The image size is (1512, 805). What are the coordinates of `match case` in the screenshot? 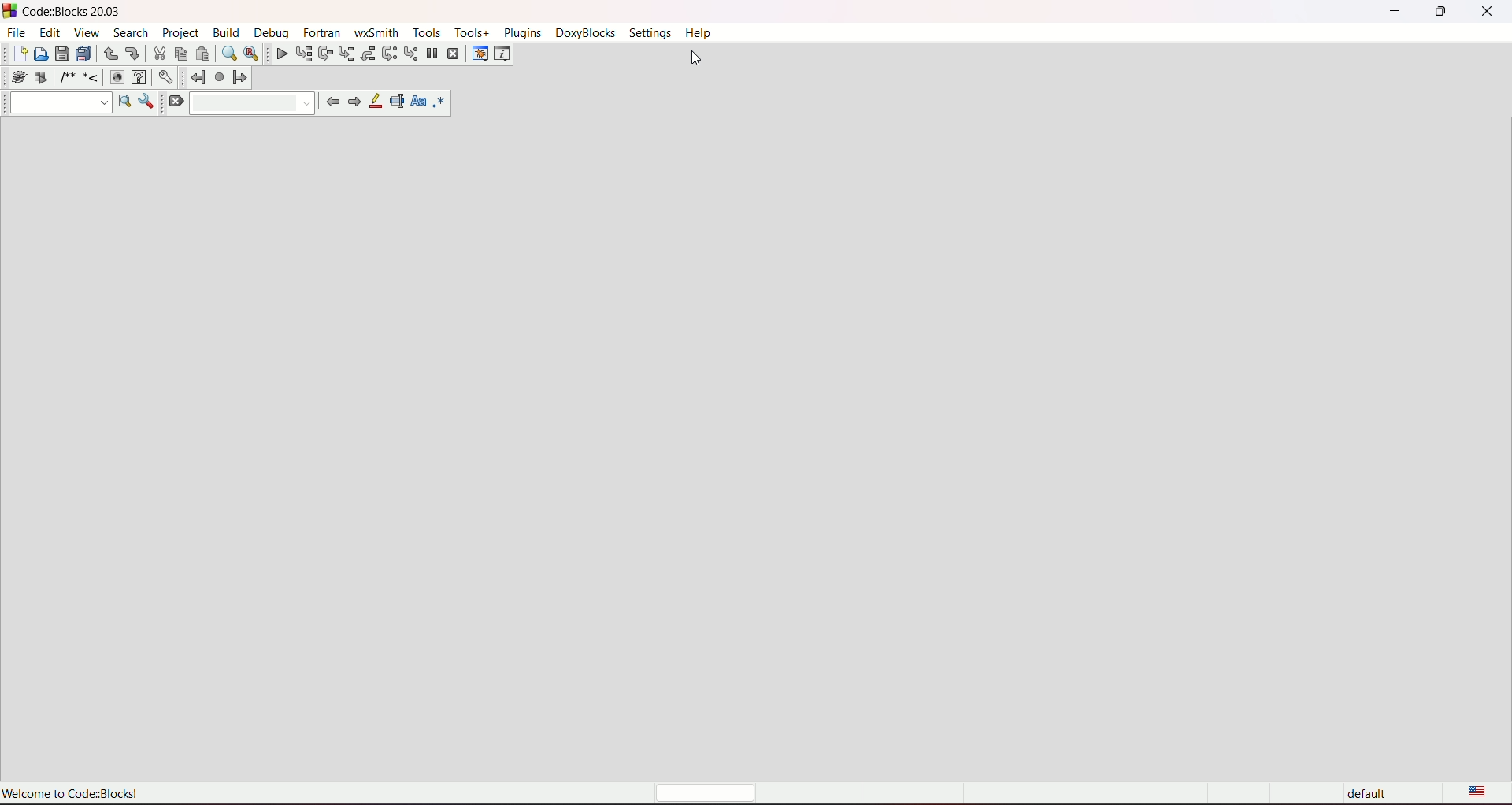 It's located at (418, 102).